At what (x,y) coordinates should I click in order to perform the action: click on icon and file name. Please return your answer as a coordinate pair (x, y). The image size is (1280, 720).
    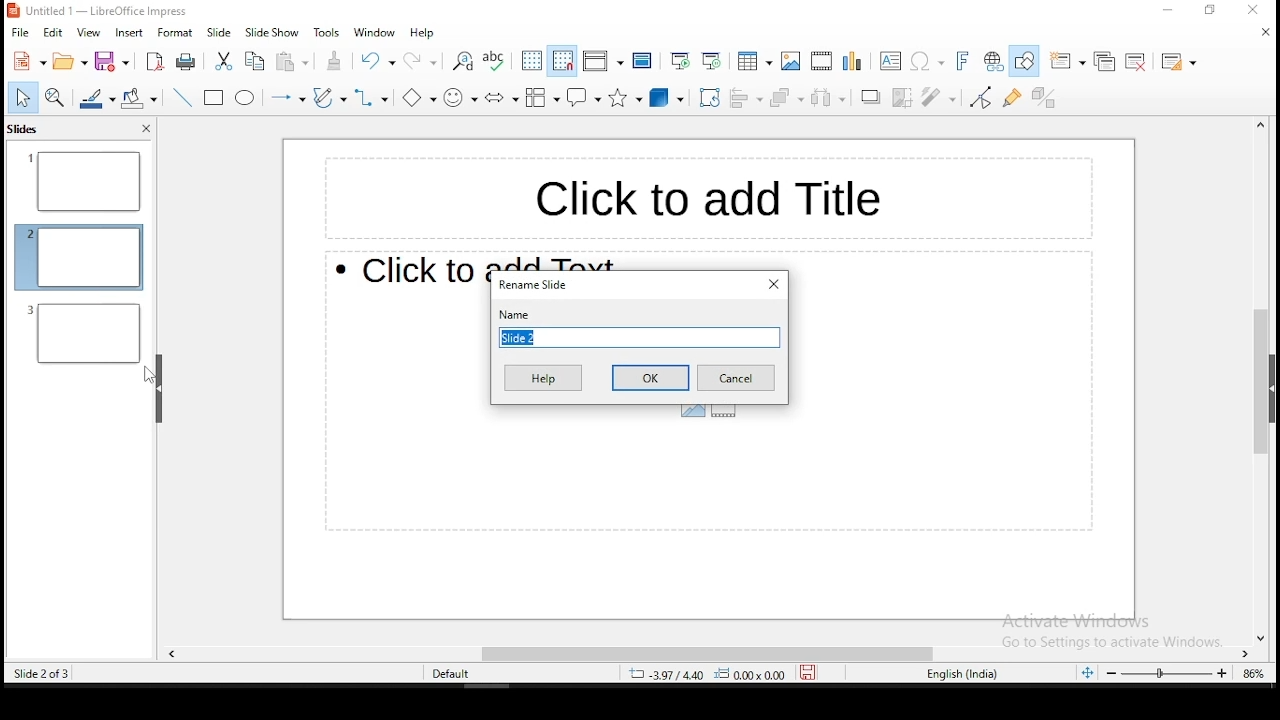
    Looking at the image, I should click on (97, 12).